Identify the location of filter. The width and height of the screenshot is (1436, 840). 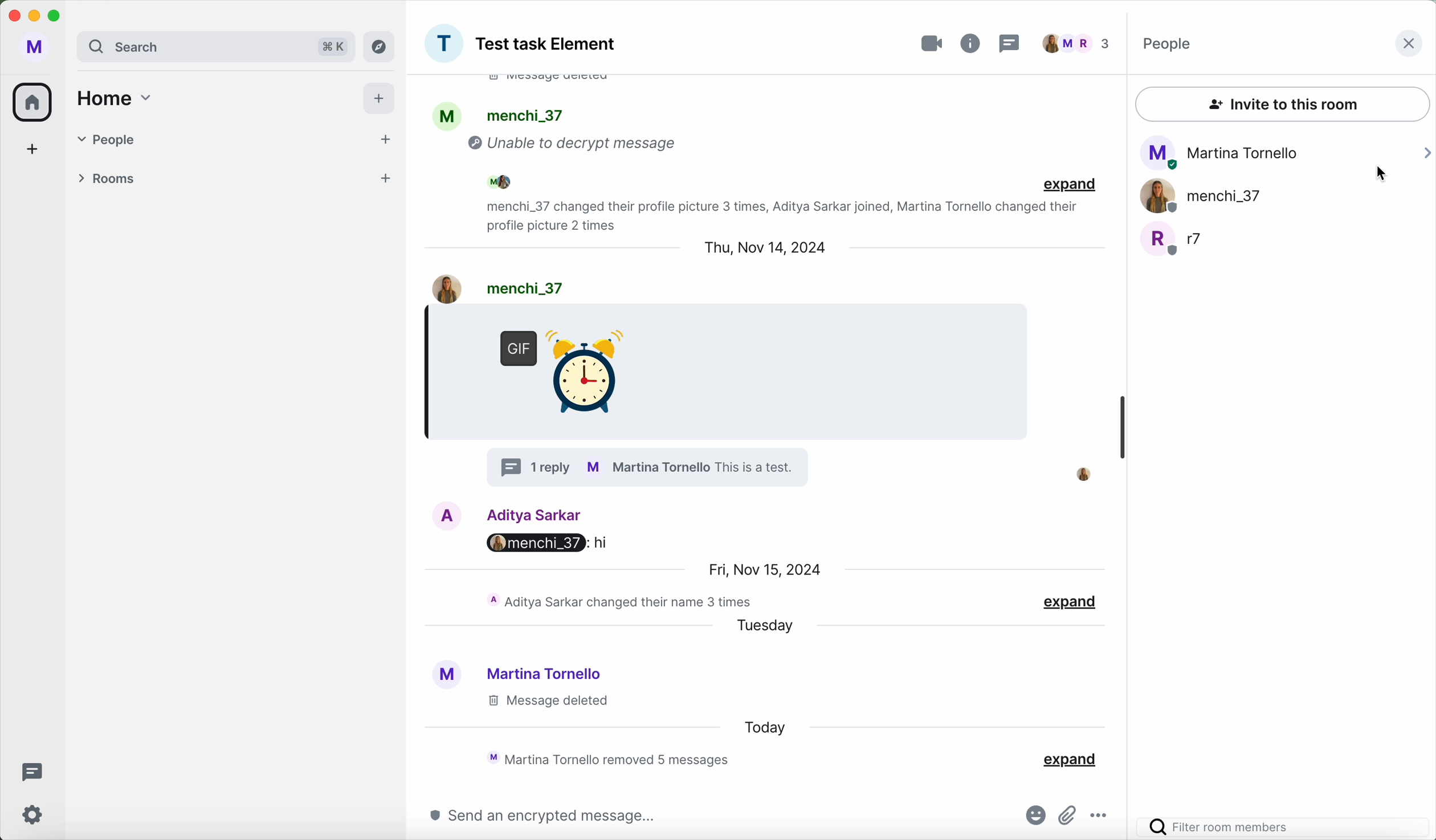
(1286, 827).